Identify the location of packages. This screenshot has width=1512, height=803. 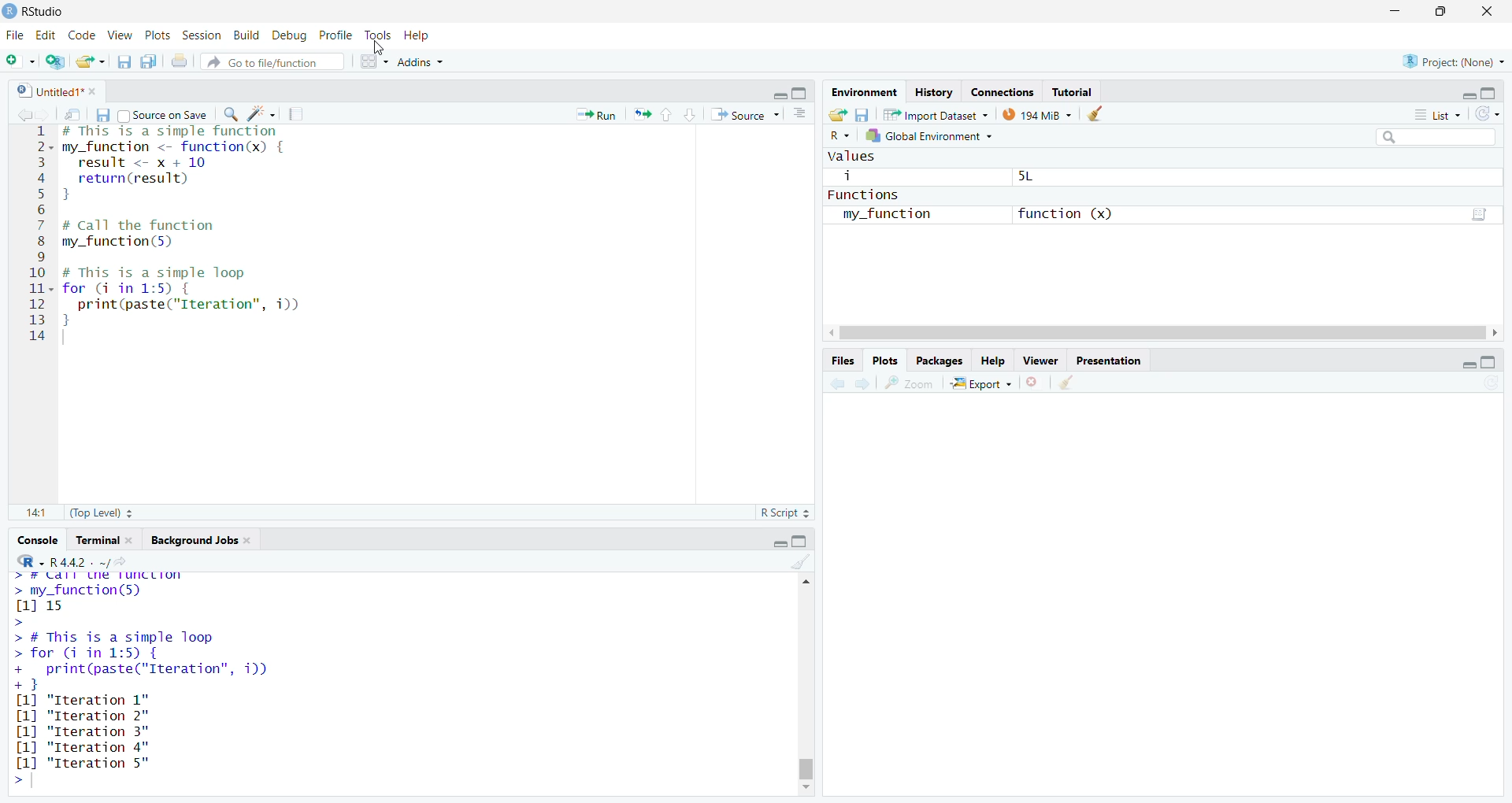
(942, 360).